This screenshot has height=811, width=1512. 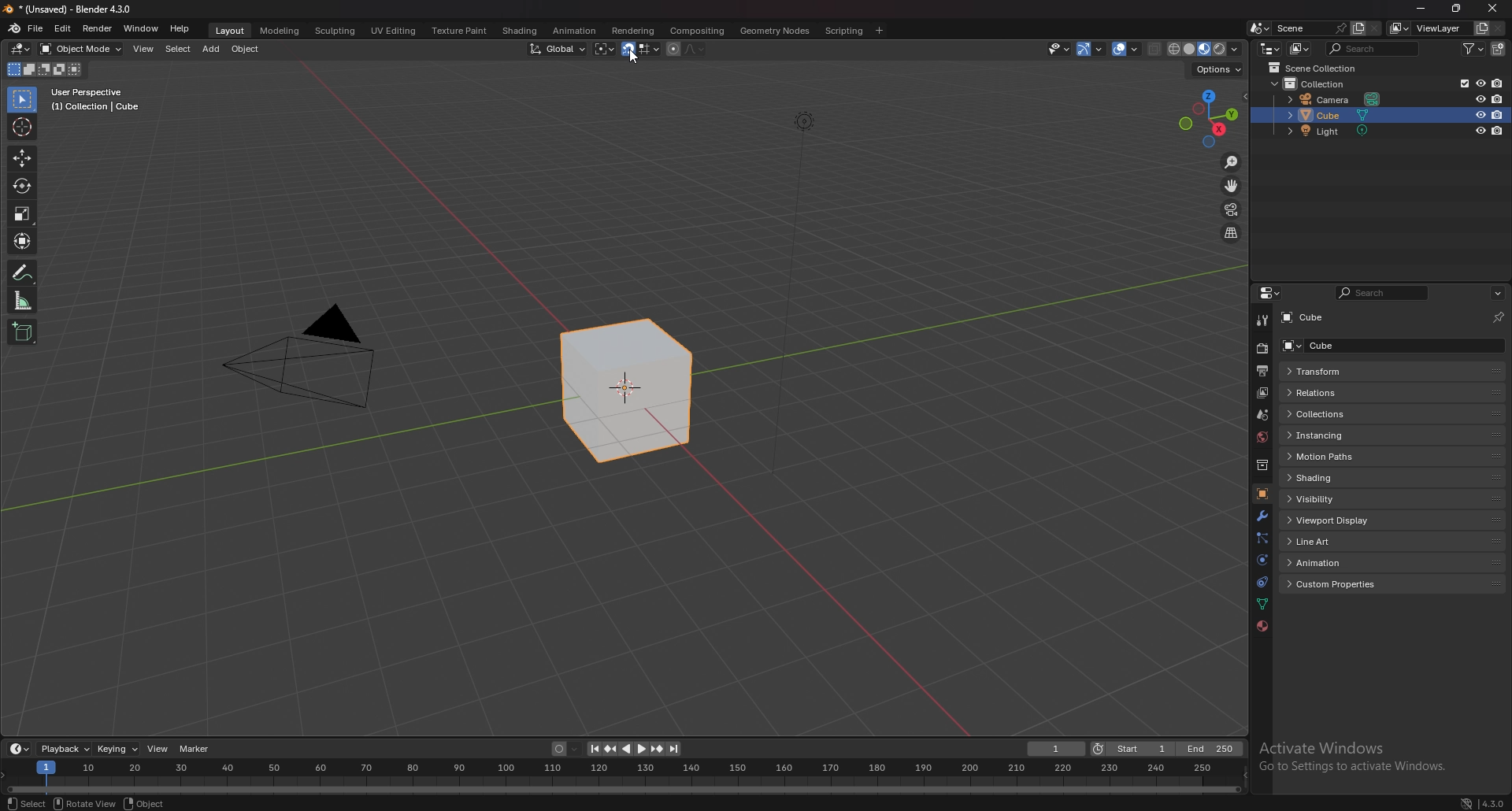 I want to click on cube, so click(x=1340, y=345).